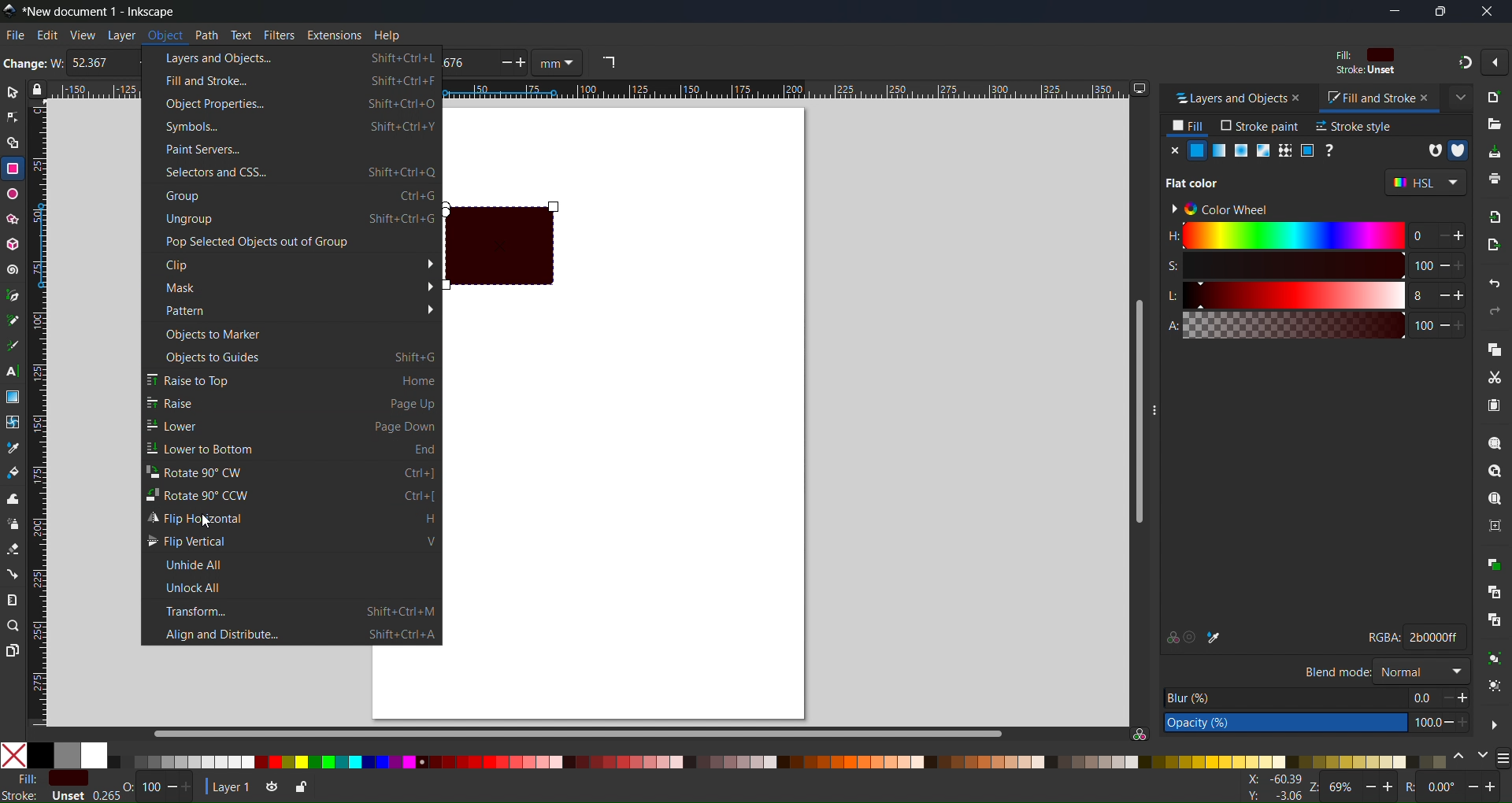  I want to click on Lightness, so click(1283, 295).